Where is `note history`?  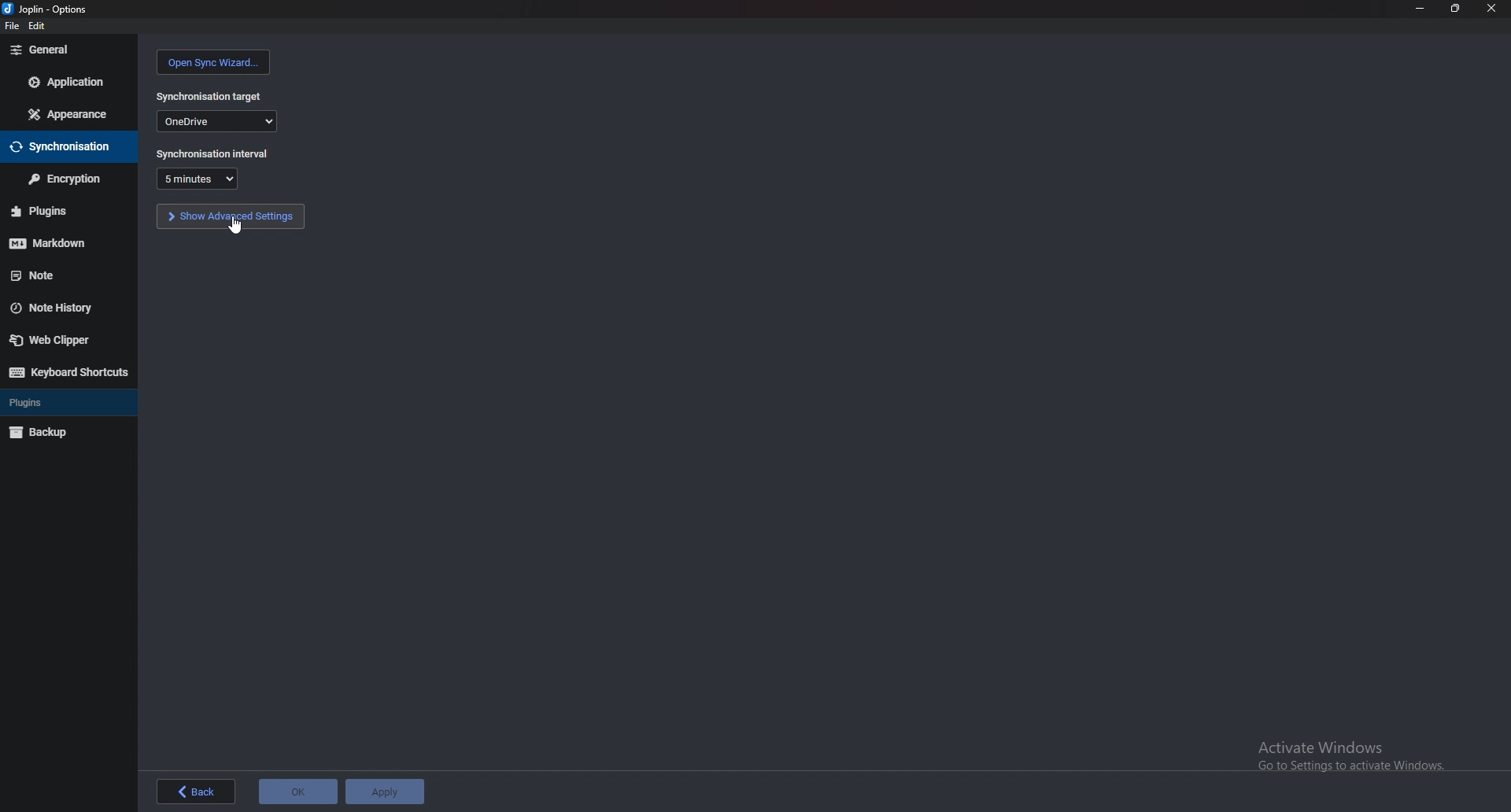
note history is located at coordinates (57, 309).